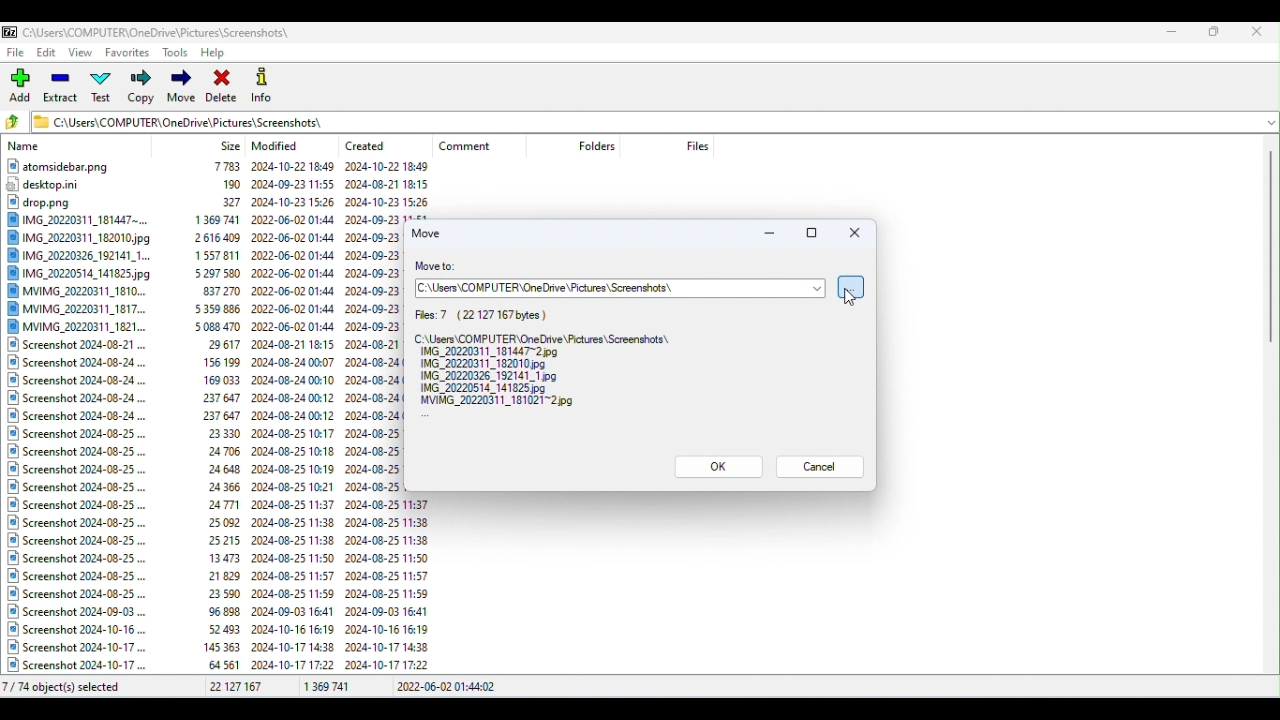 This screenshot has height=720, width=1280. What do you see at coordinates (1174, 30) in the screenshot?
I see `Minimize` at bounding box center [1174, 30].